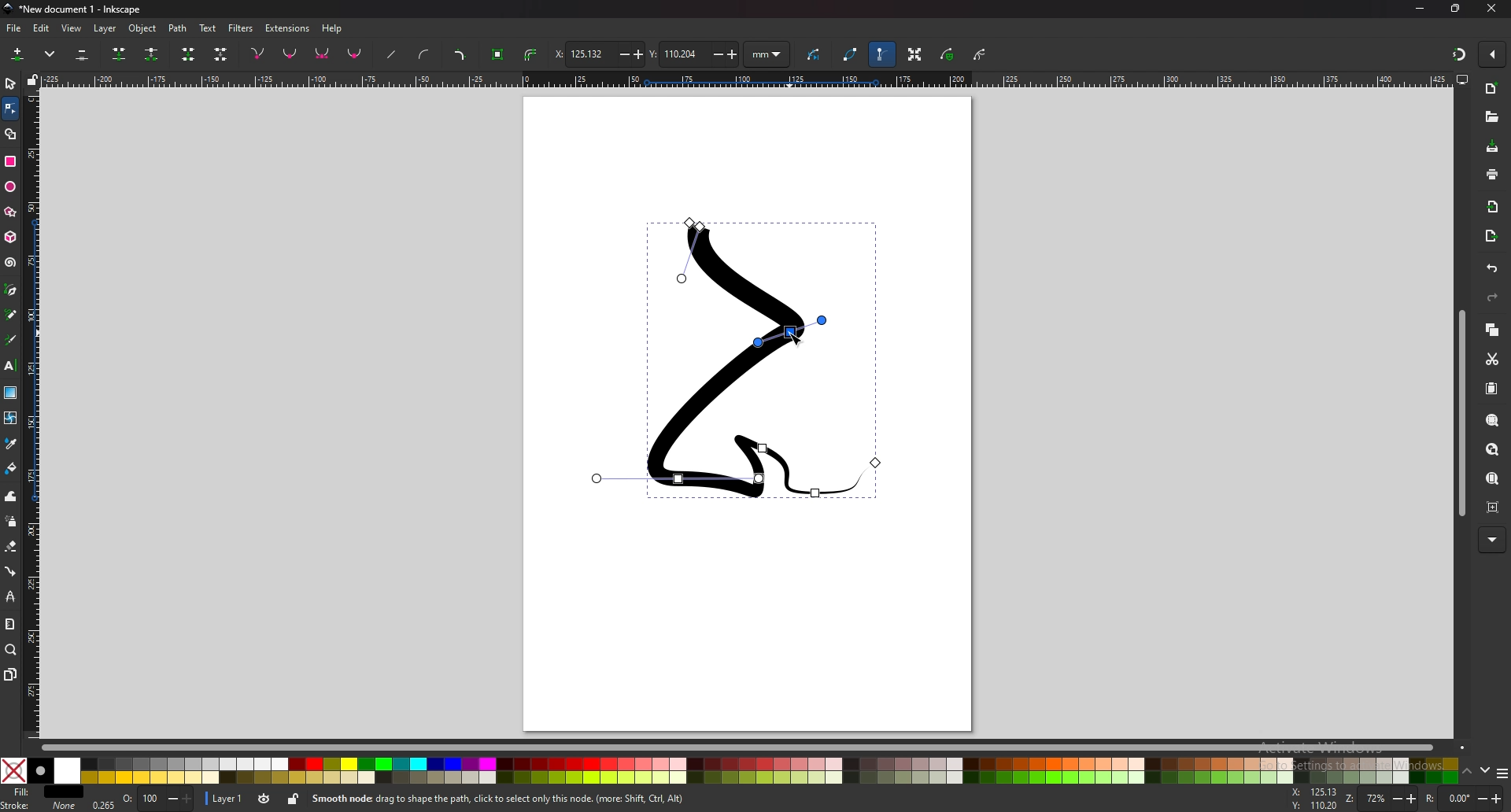  I want to click on drawing, so click(740, 356).